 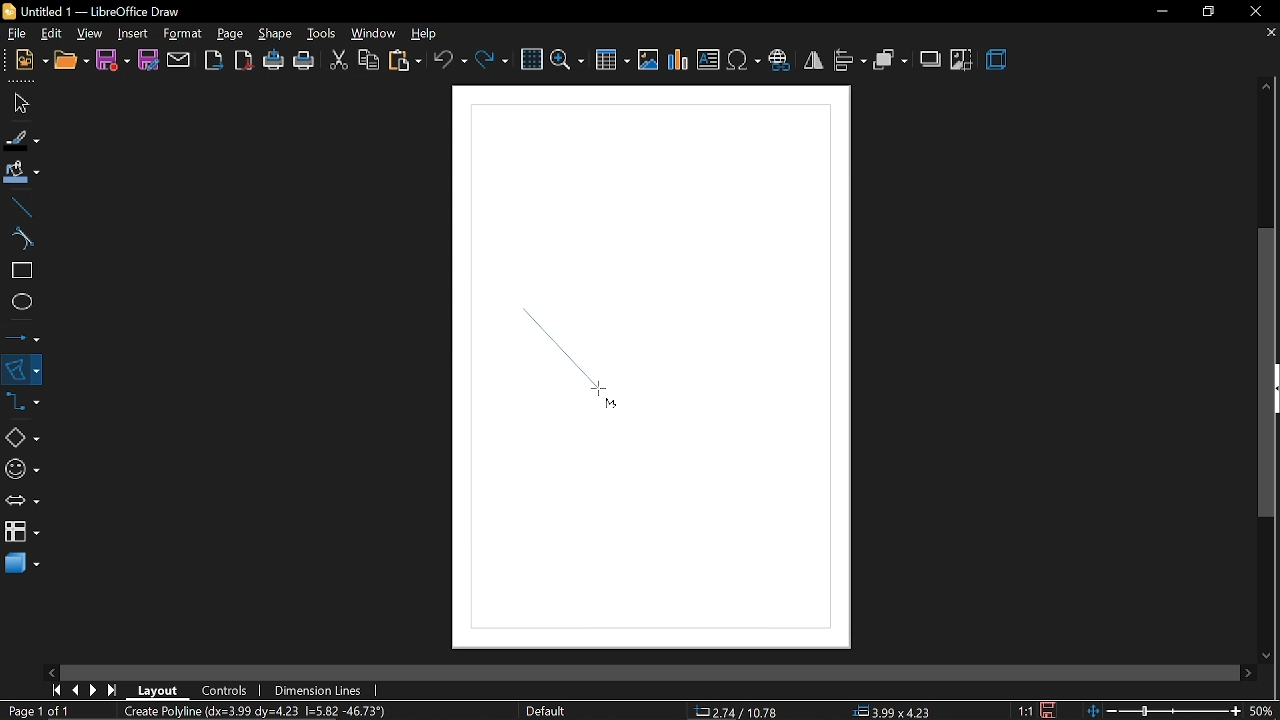 What do you see at coordinates (366, 60) in the screenshot?
I see `copy` at bounding box center [366, 60].